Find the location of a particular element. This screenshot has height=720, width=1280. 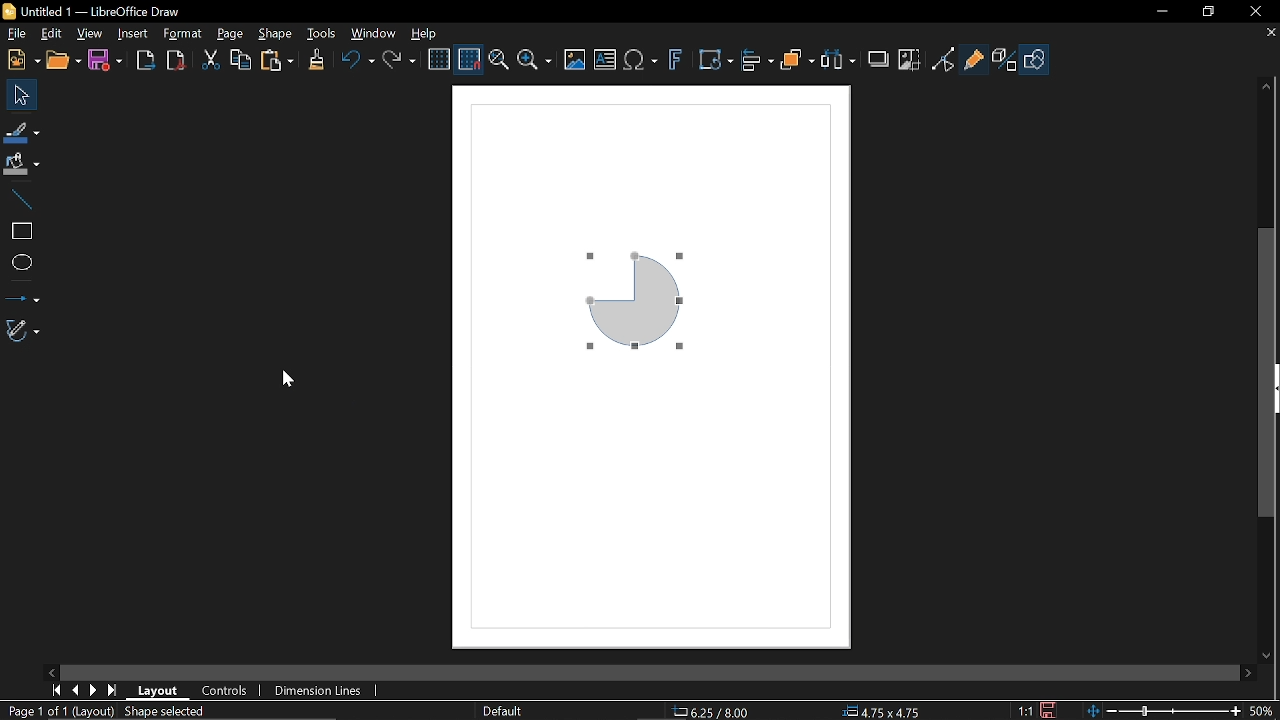

Snap to grid is located at coordinates (470, 58).